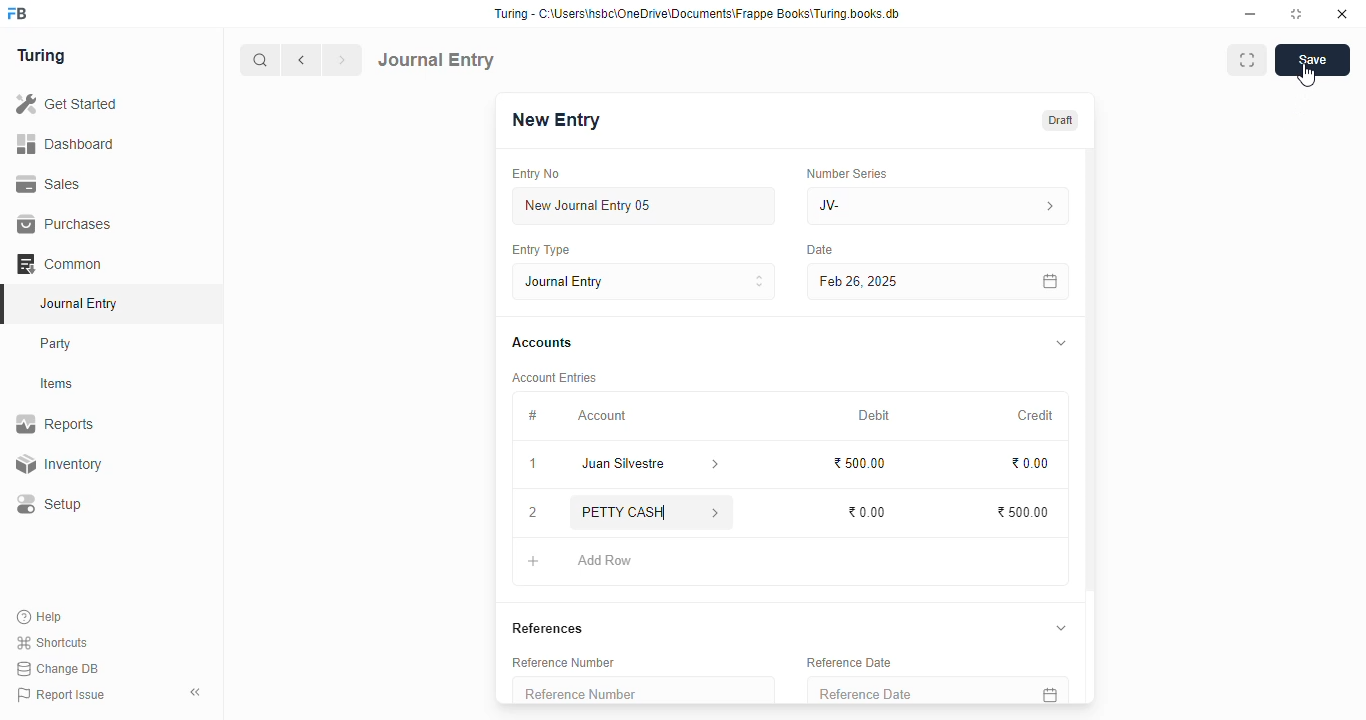 The width and height of the screenshot is (1366, 720). What do you see at coordinates (49, 183) in the screenshot?
I see `sales` at bounding box center [49, 183].